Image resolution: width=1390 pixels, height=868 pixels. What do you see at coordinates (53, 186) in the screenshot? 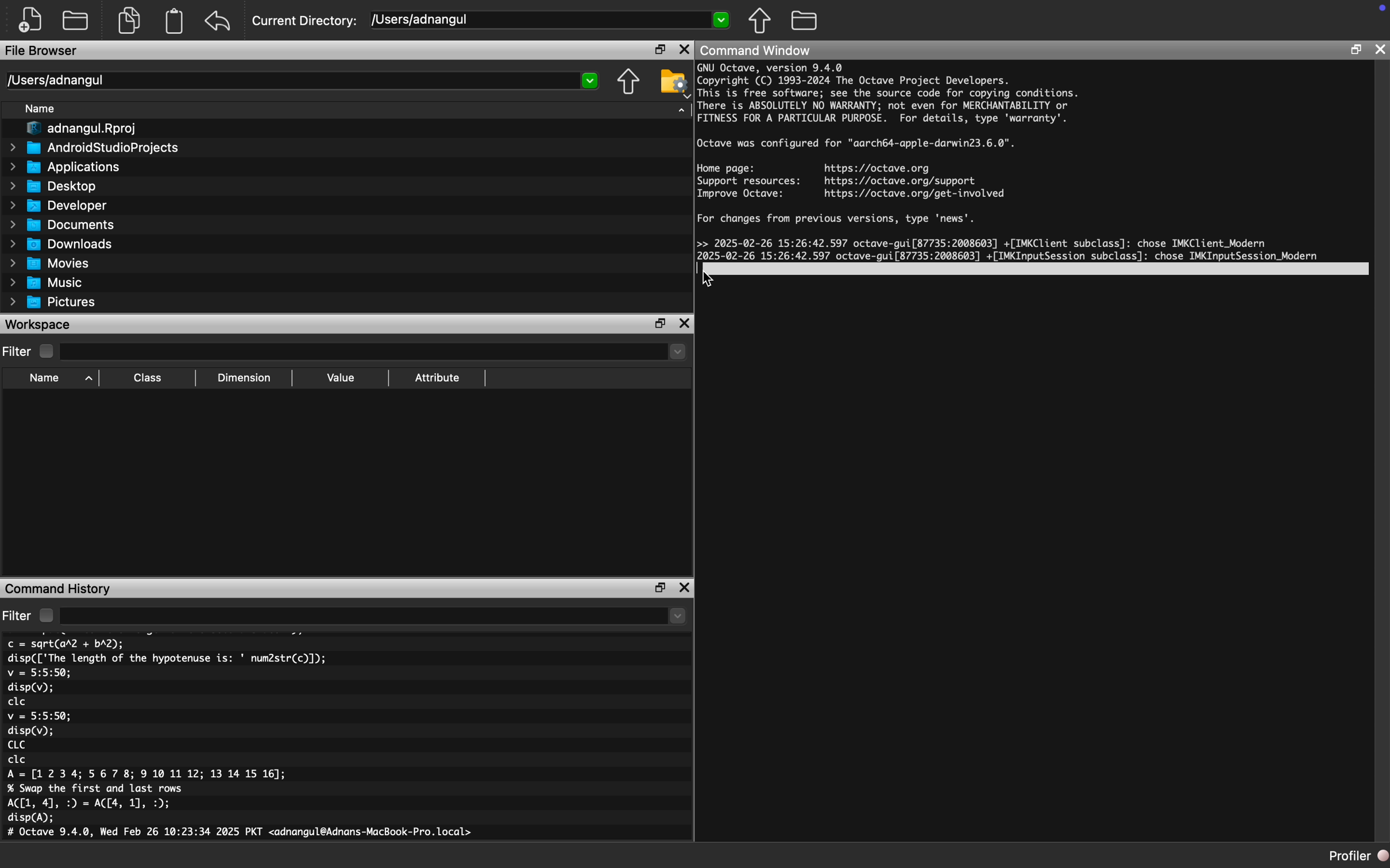
I see `Desktop` at bounding box center [53, 186].